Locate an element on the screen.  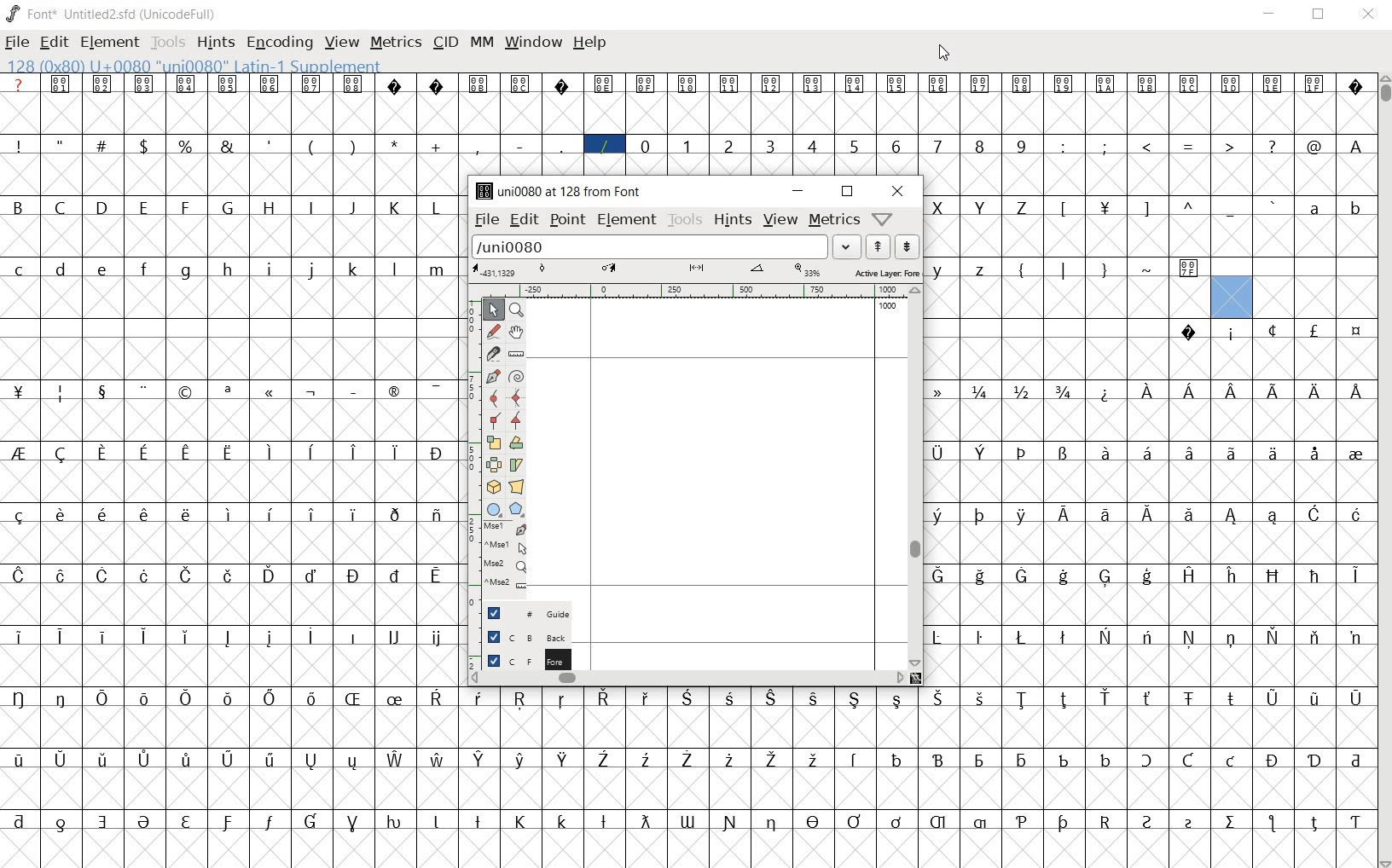
glyph is located at coordinates (61, 825).